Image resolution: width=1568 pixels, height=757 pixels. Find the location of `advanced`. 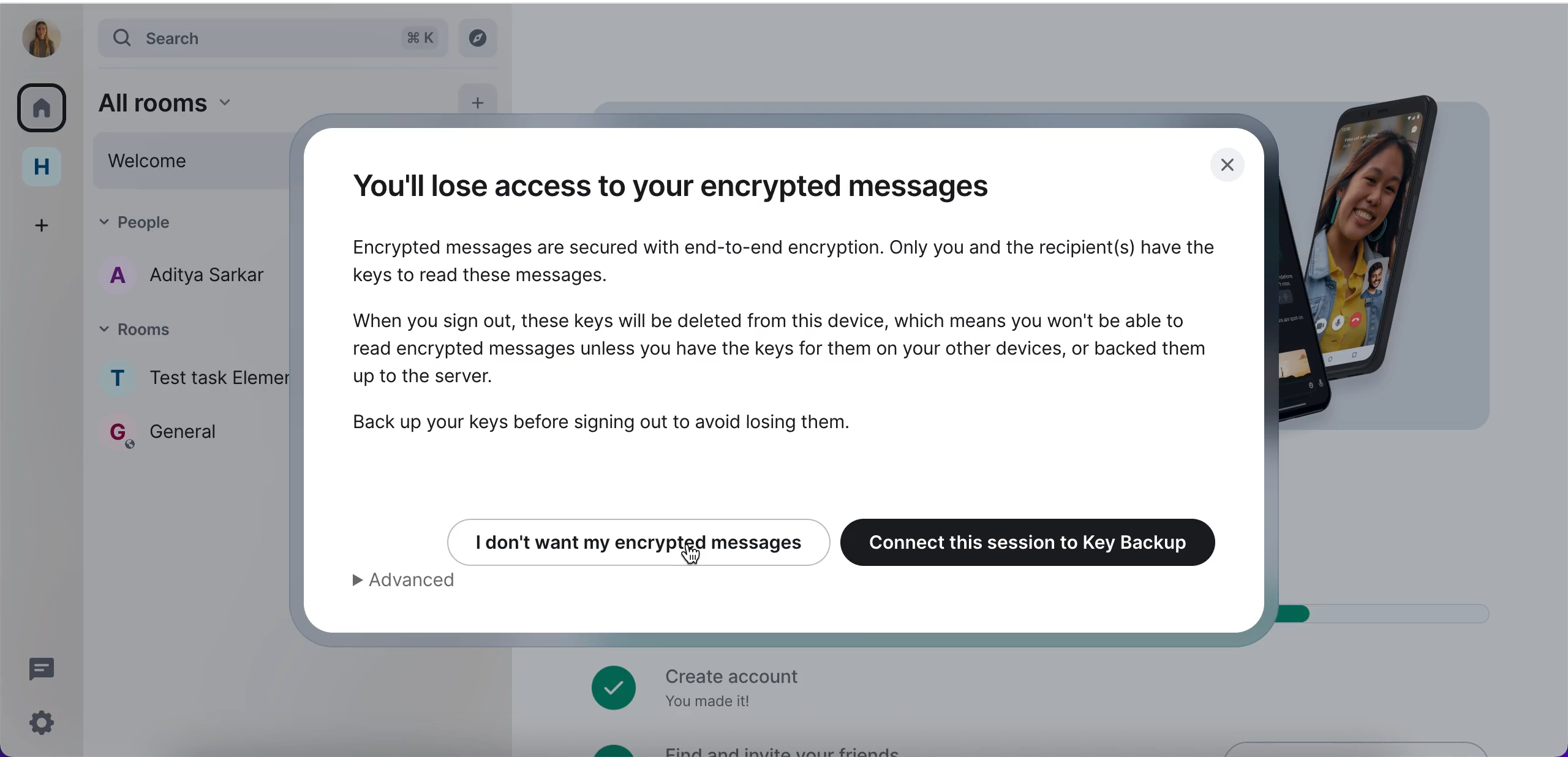

advanced is located at coordinates (418, 584).